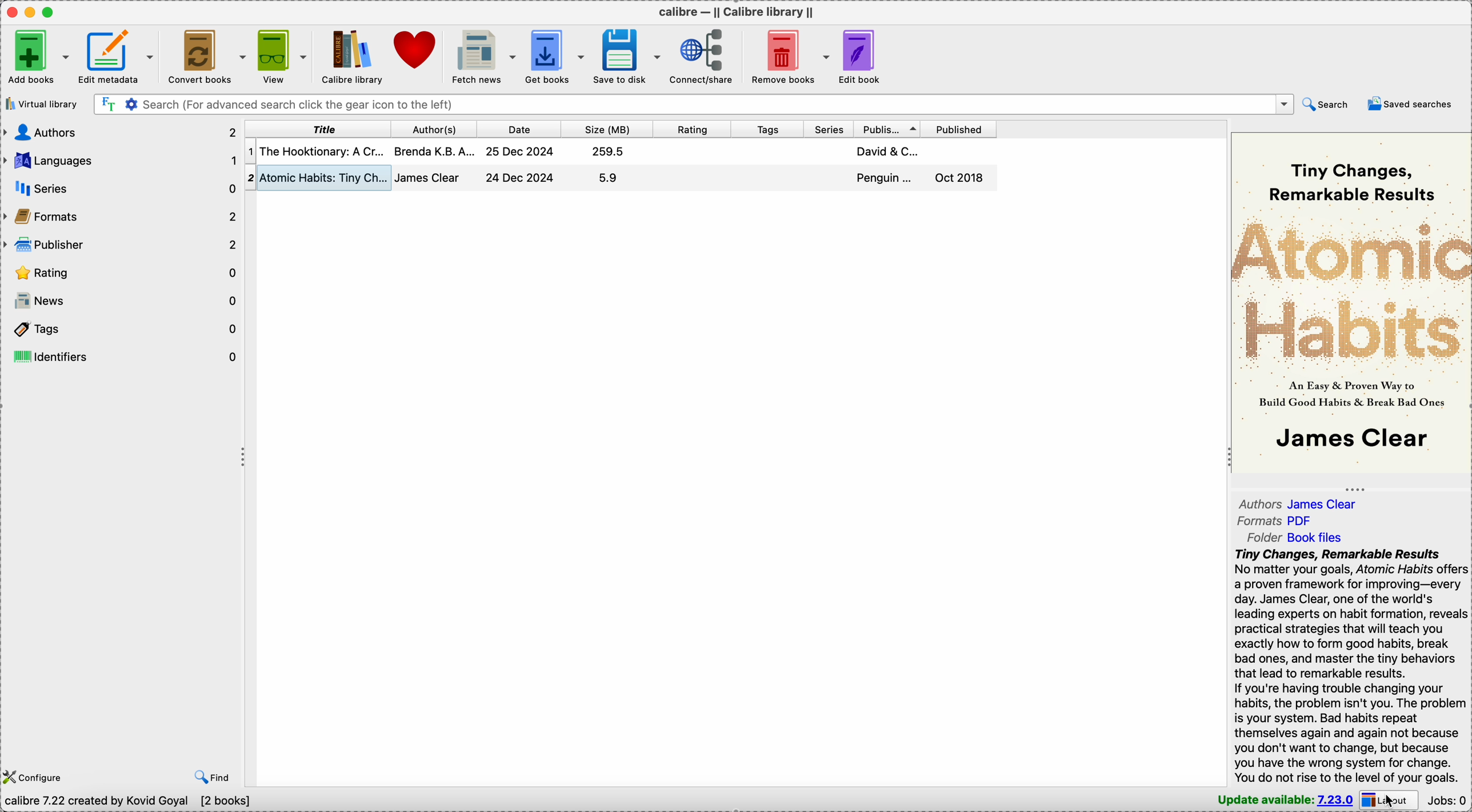 The height and width of the screenshot is (812, 1472). Describe the element at coordinates (250, 152) in the screenshot. I see `1` at that location.